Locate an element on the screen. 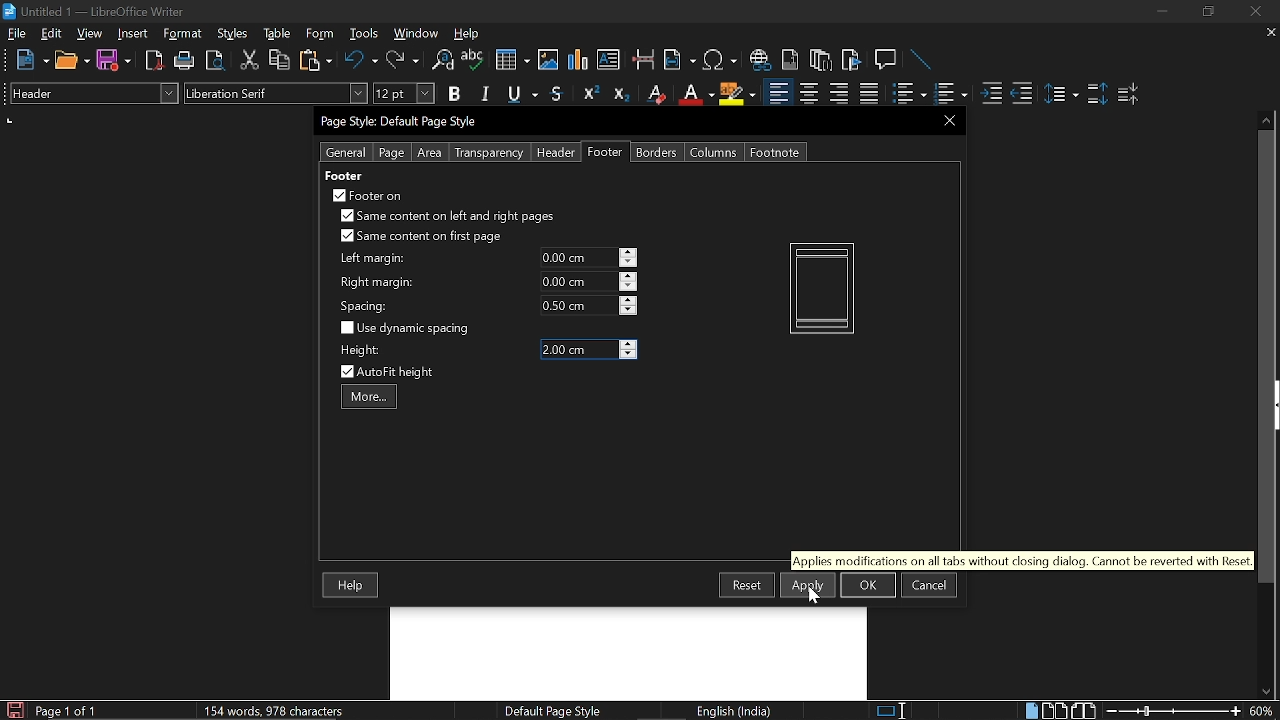  Increase height hey Cortana is located at coordinates (628, 343).